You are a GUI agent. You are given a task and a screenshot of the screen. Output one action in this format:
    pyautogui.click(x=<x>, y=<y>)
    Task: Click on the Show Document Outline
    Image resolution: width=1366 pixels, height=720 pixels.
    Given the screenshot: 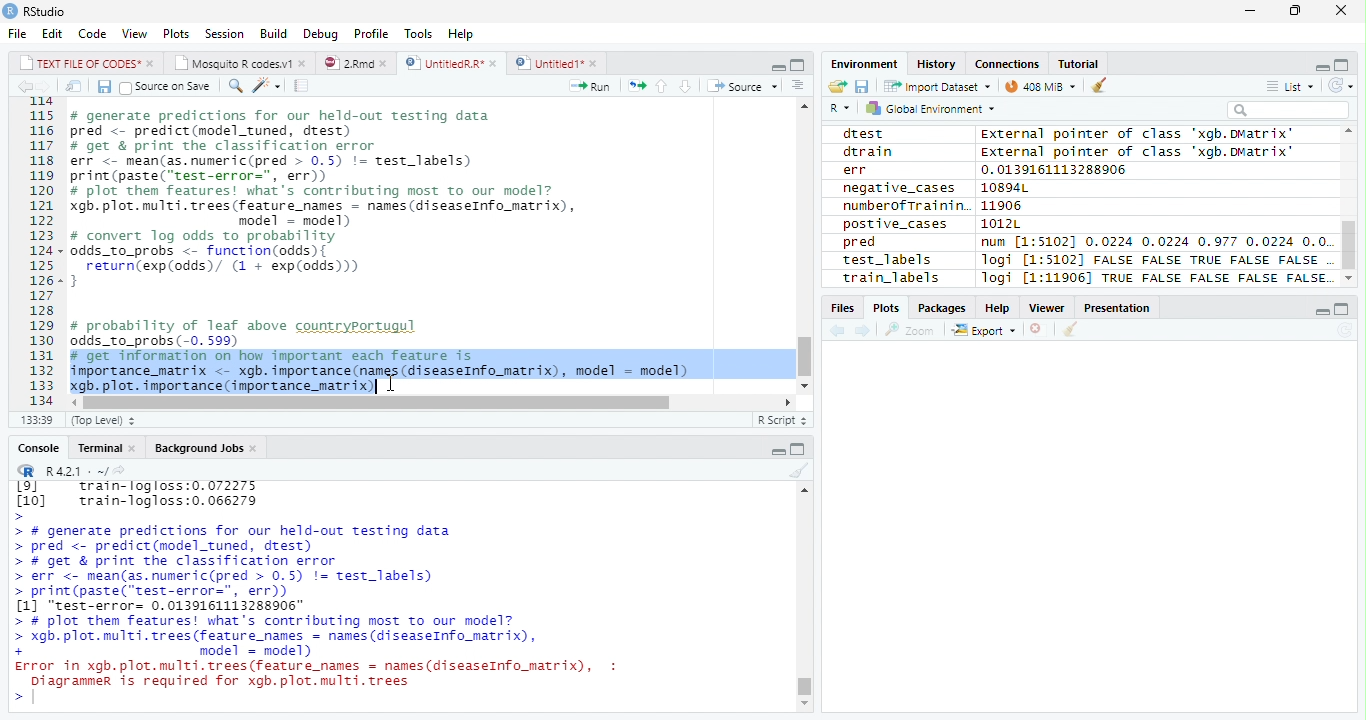 What is the action you would take?
    pyautogui.click(x=799, y=84)
    